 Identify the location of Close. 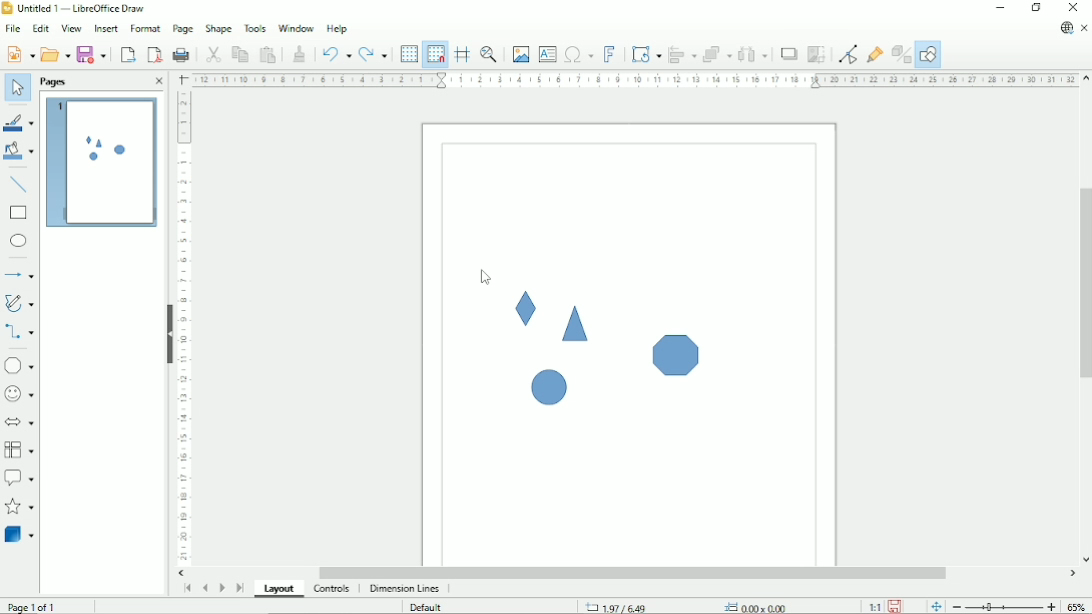
(156, 81).